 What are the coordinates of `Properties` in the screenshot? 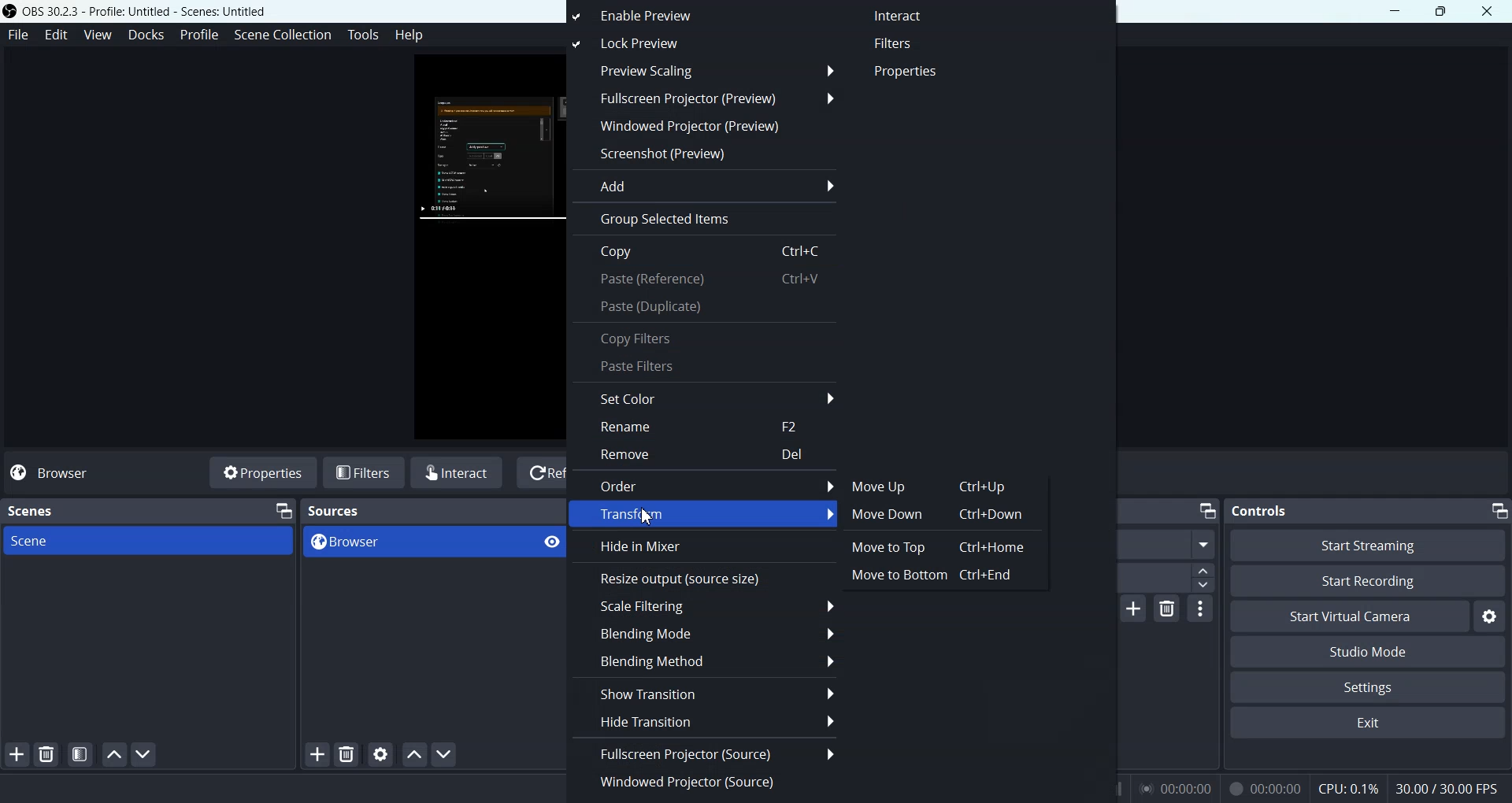 It's located at (911, 72).